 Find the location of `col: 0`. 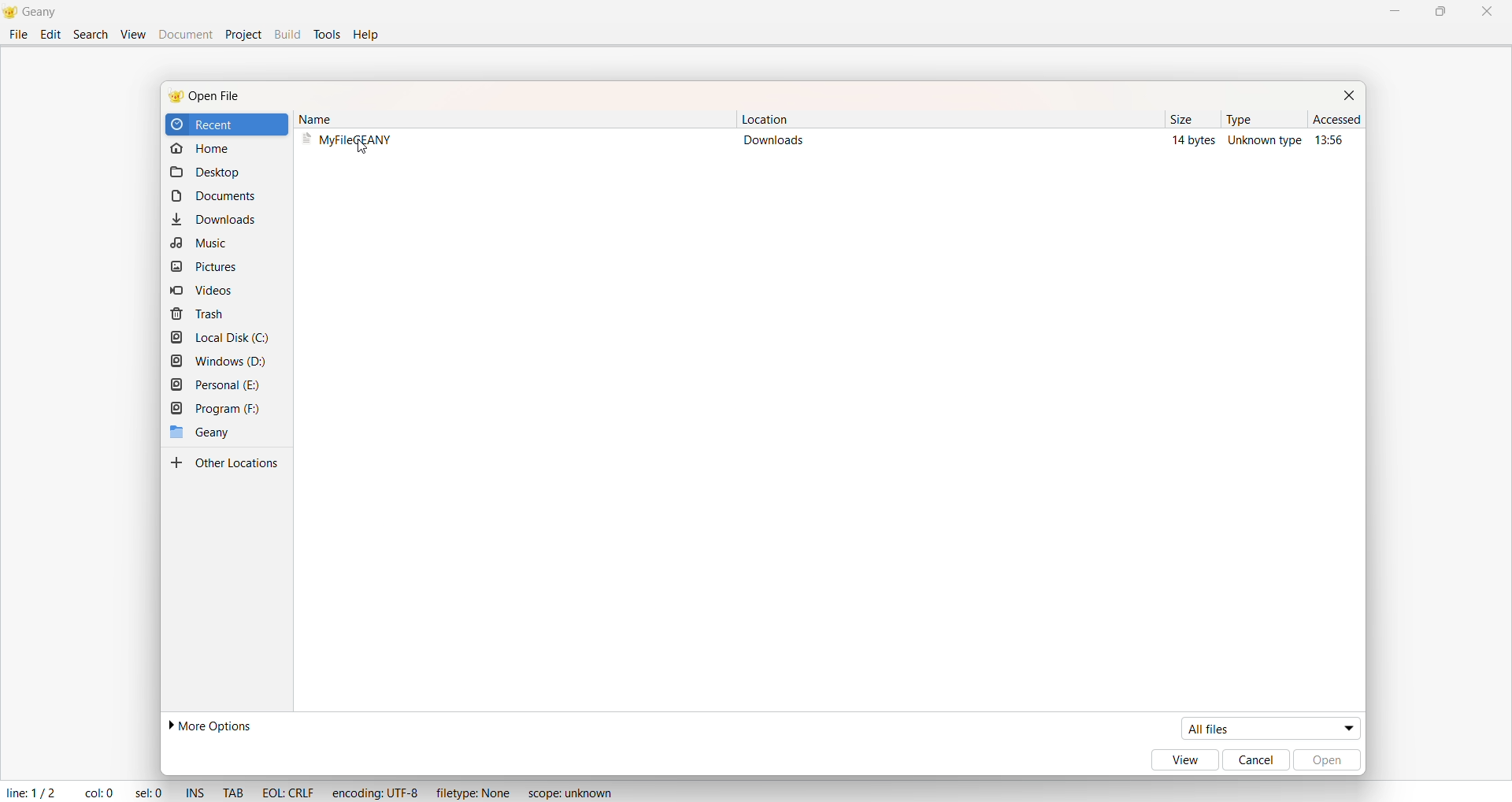

col: 0 is located at coordinates (94, 793).